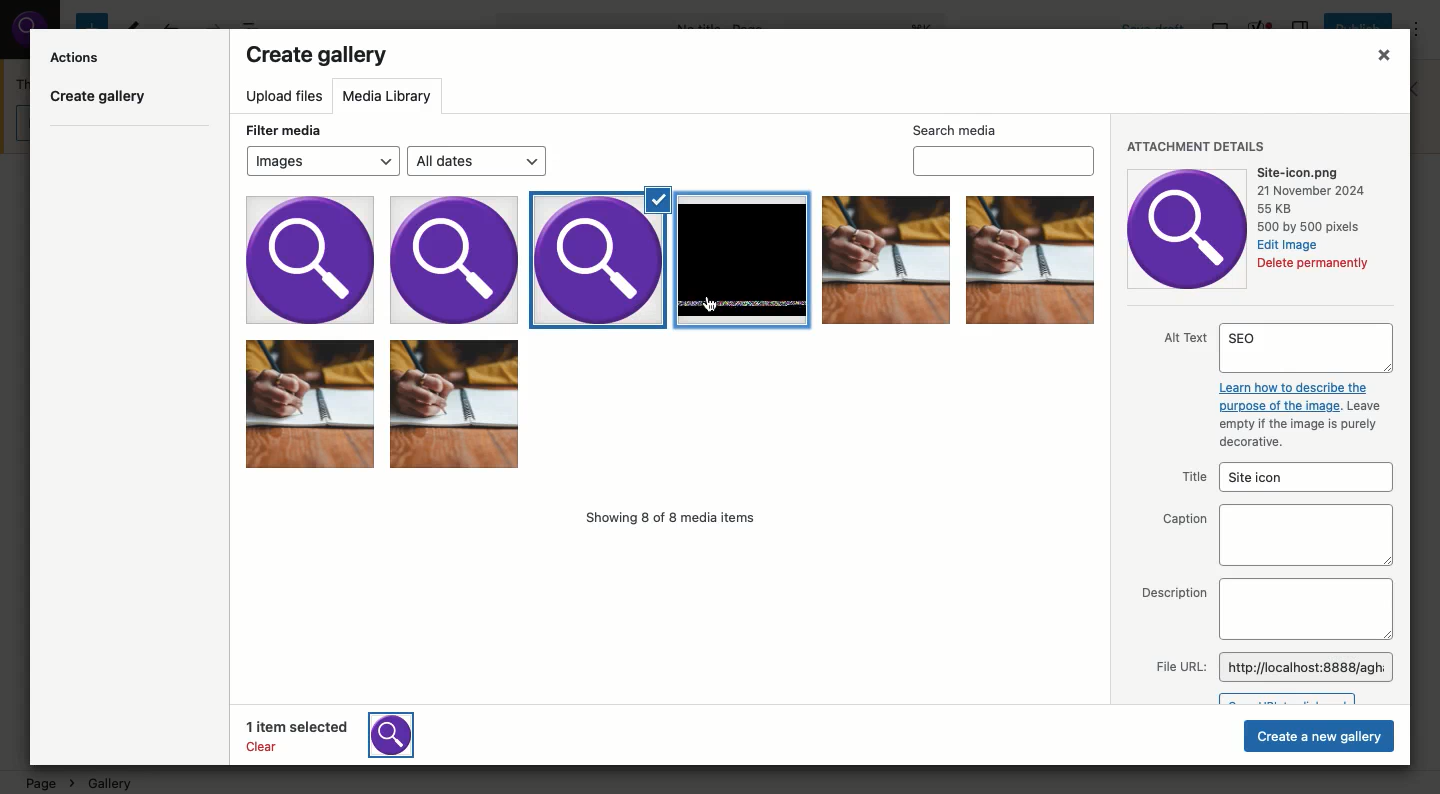  What do you see at coordinates (322, 160) in the screenshot?
I see `Images` at bounding box center [322, 160].